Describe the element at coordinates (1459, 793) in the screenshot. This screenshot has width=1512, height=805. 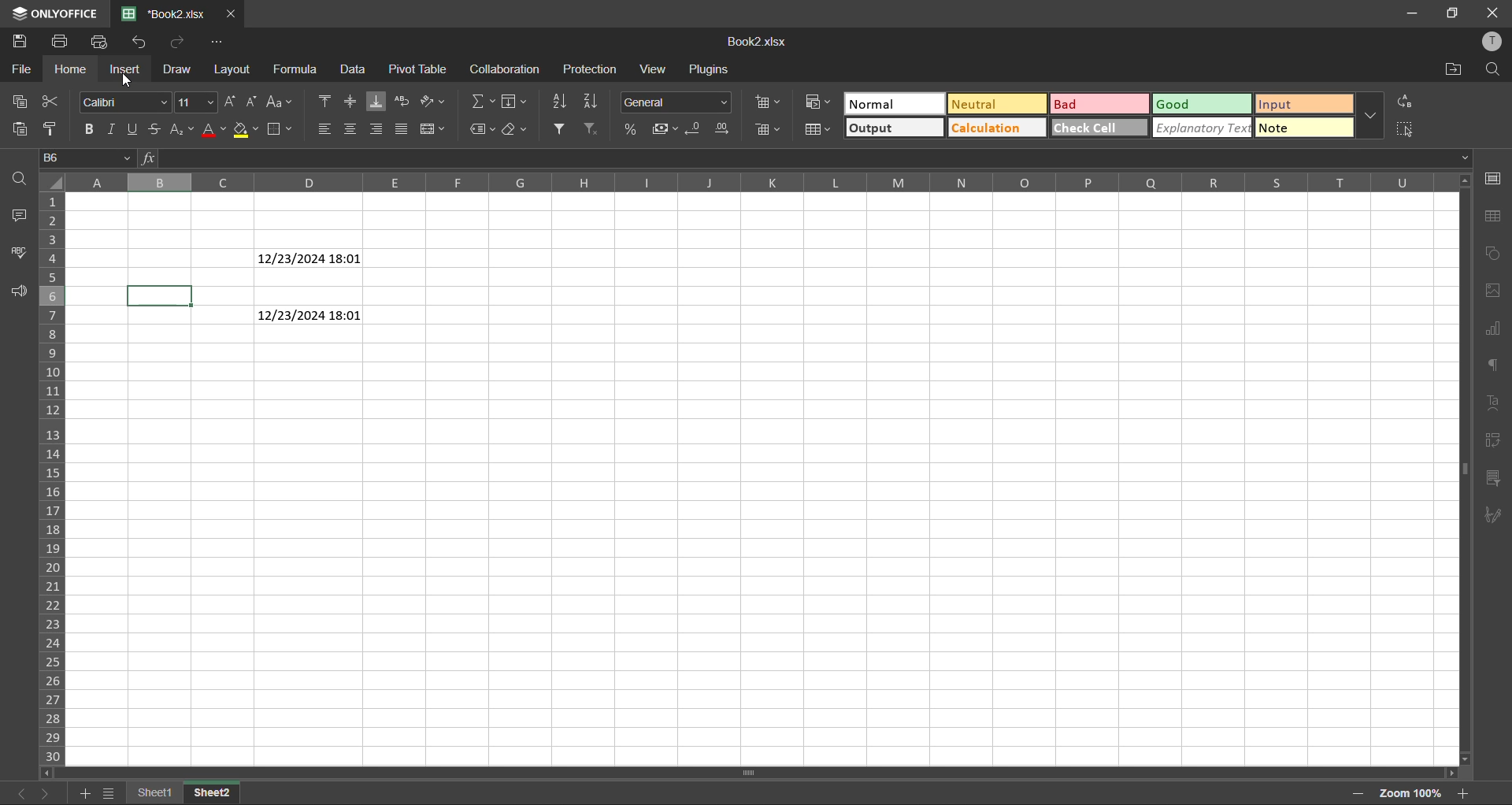
I see `zoom in` at that location.